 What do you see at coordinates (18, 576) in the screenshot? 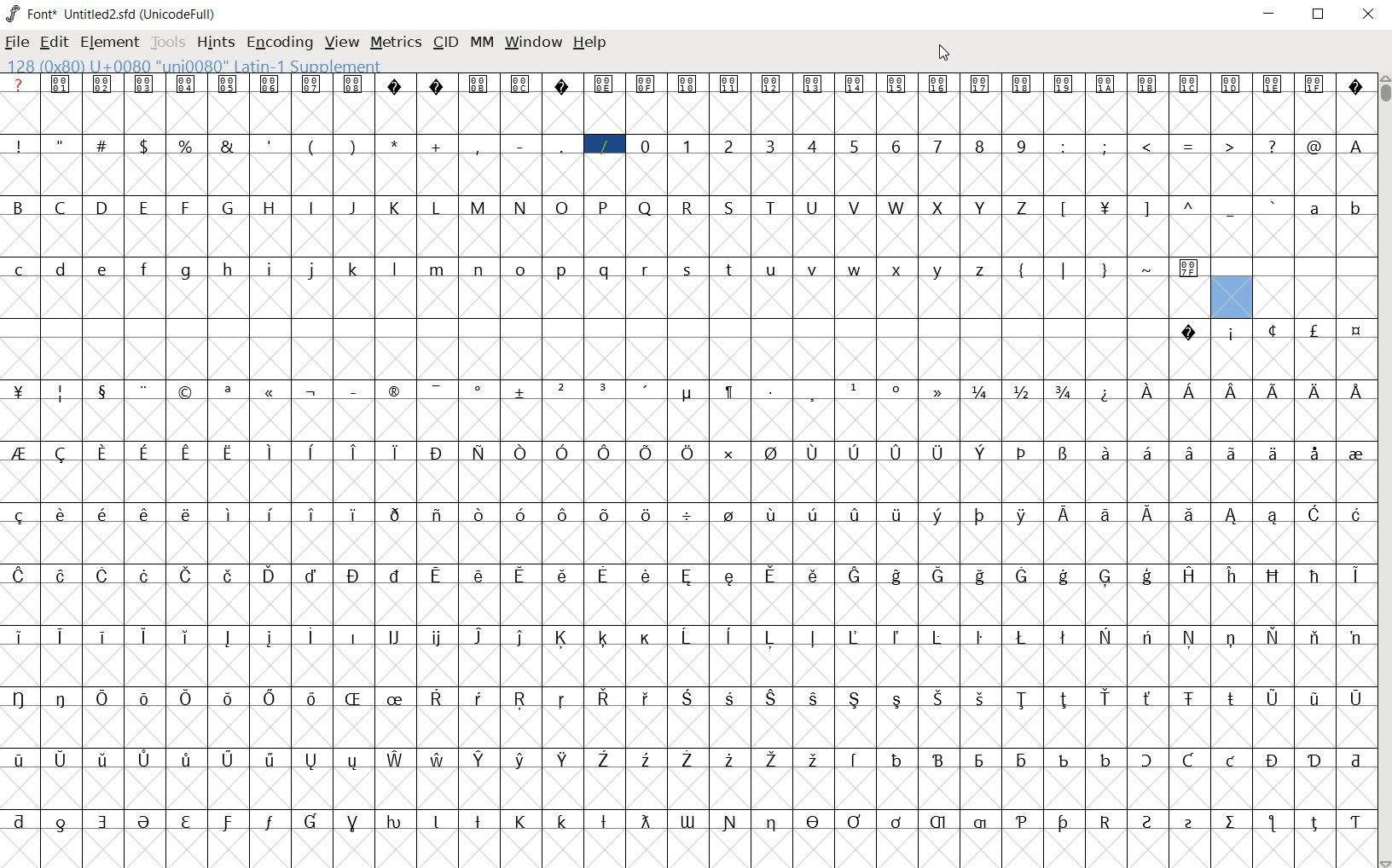
I see `glyph` at bounding box center [18, 576].